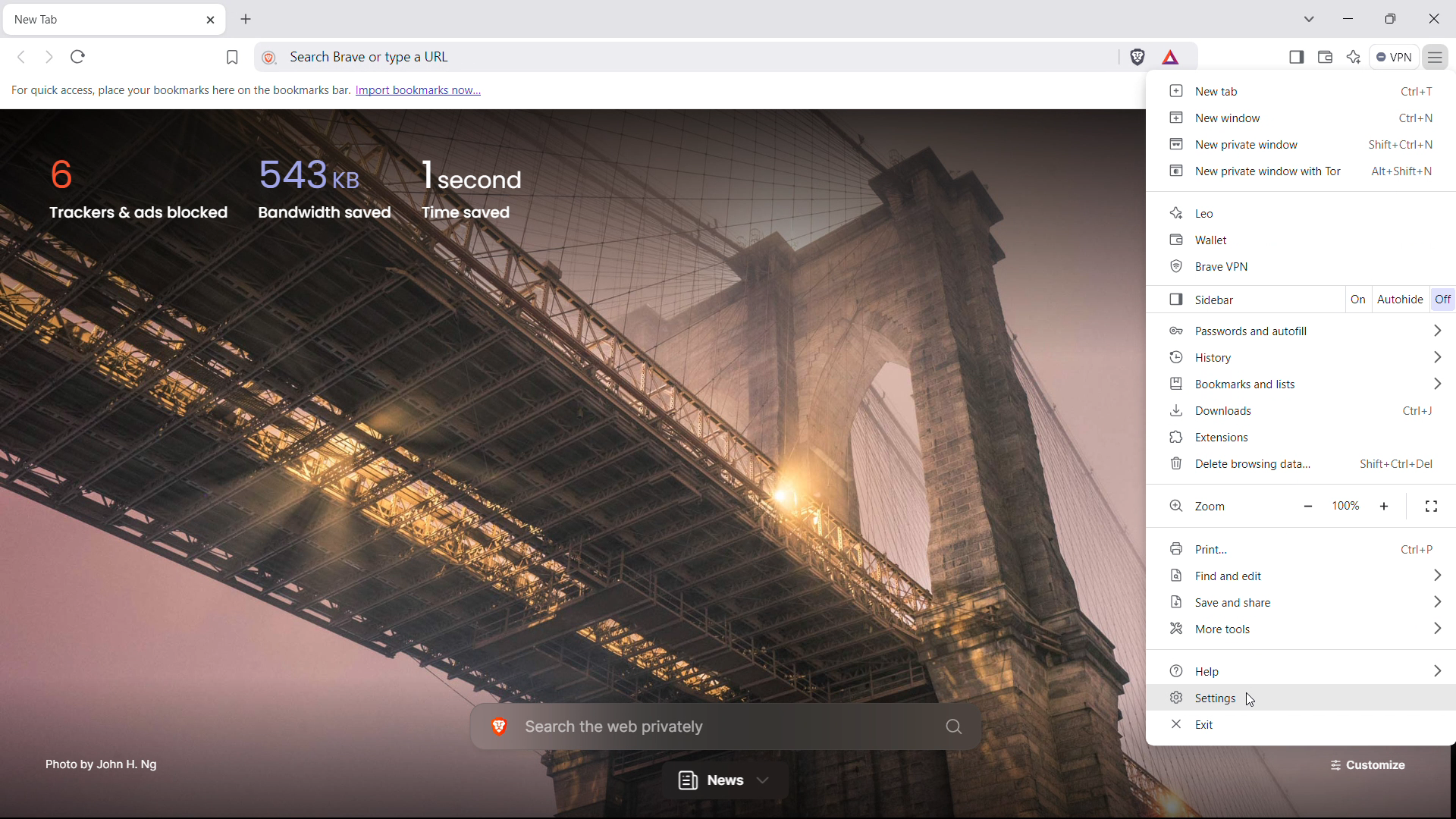  I want to click on Customize, so click(1378, 764).